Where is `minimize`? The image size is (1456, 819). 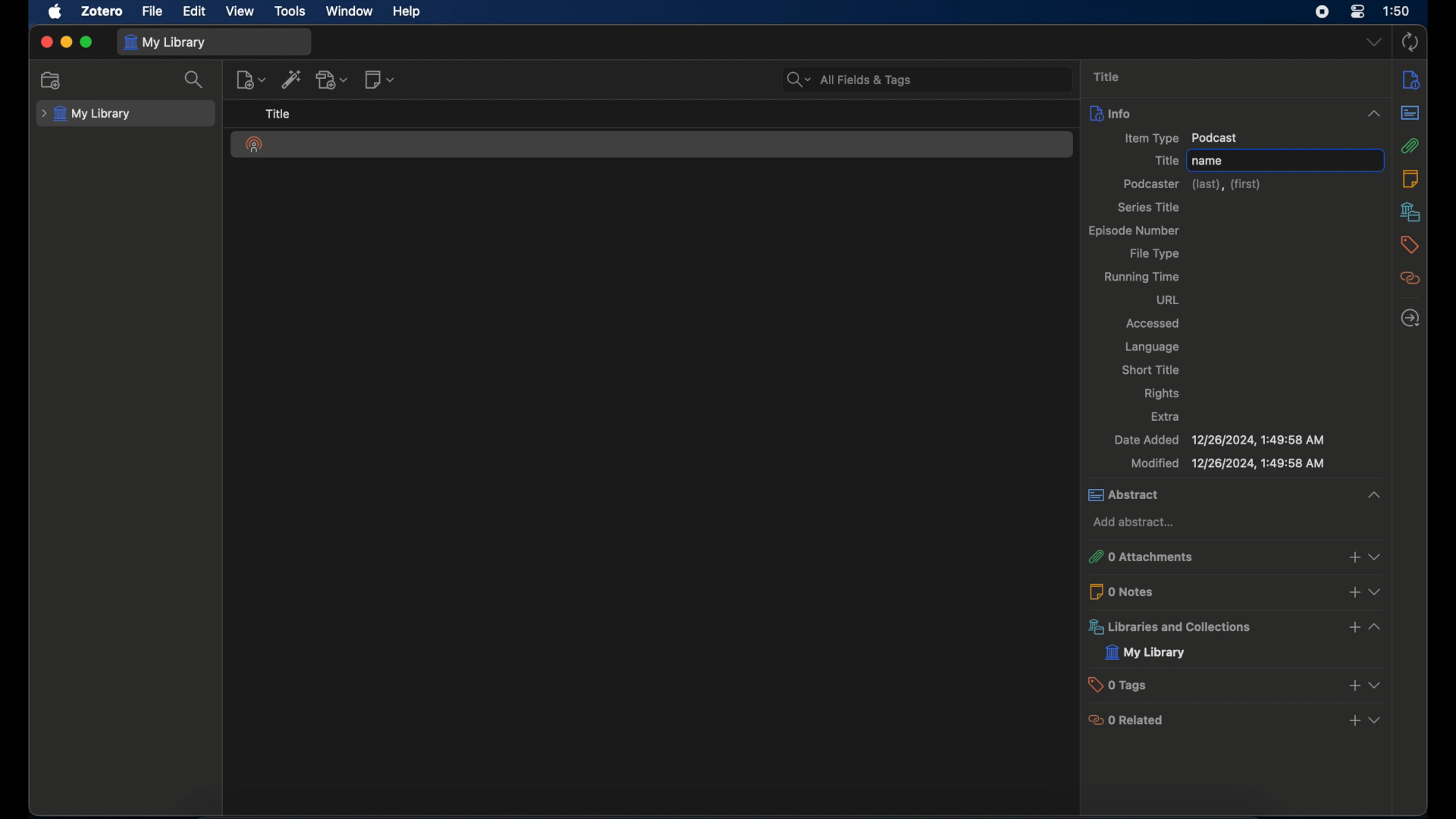
minimize is located at coordinates (65, 43).